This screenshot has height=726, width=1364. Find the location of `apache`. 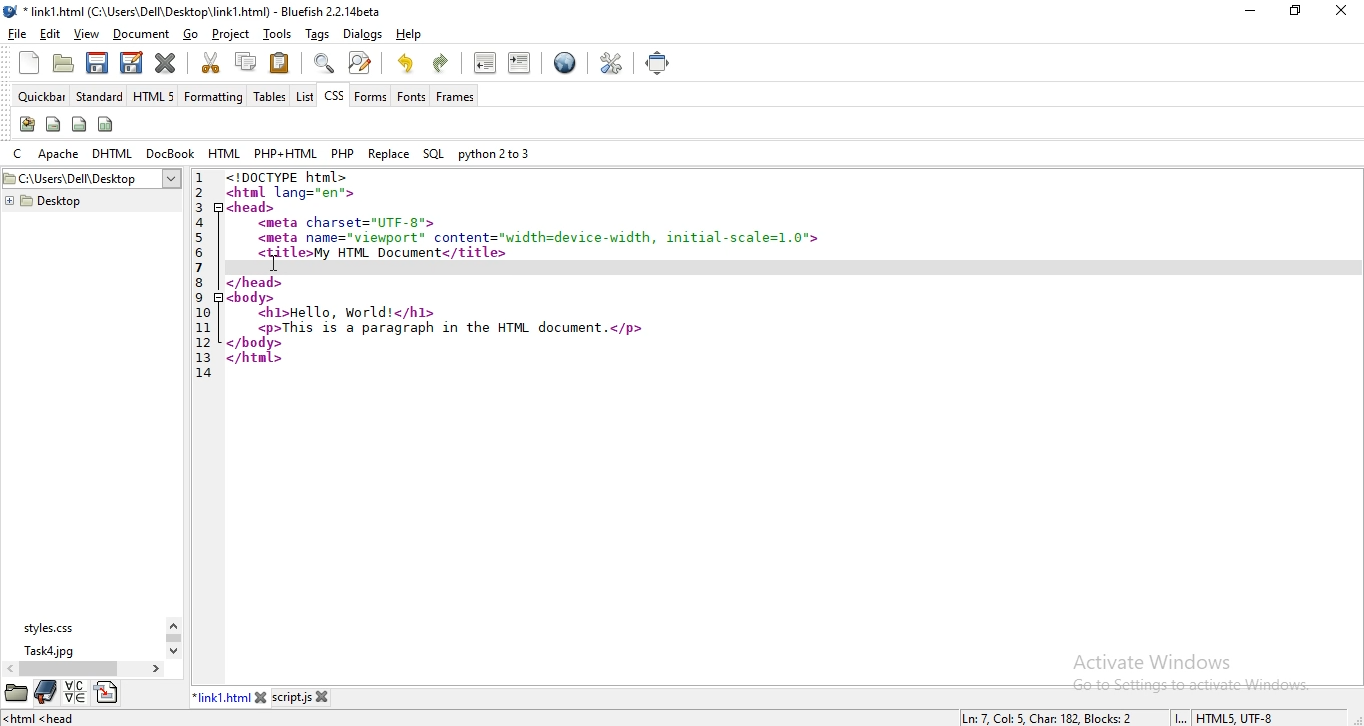

apache is located at coordinates (58, 153).